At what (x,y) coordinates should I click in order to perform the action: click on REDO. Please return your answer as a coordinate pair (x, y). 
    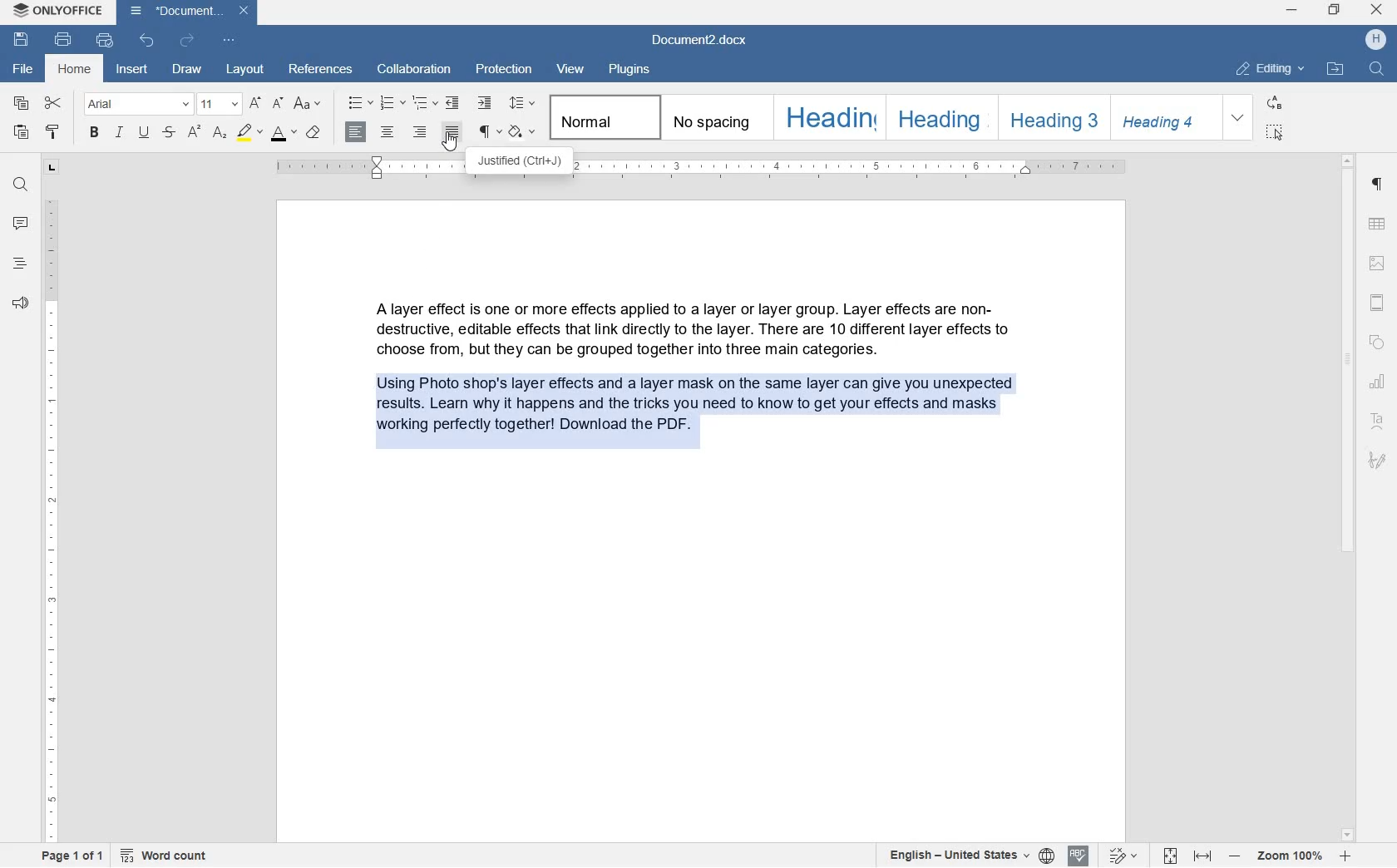
    Looking at the image, I should click on (186, 40).